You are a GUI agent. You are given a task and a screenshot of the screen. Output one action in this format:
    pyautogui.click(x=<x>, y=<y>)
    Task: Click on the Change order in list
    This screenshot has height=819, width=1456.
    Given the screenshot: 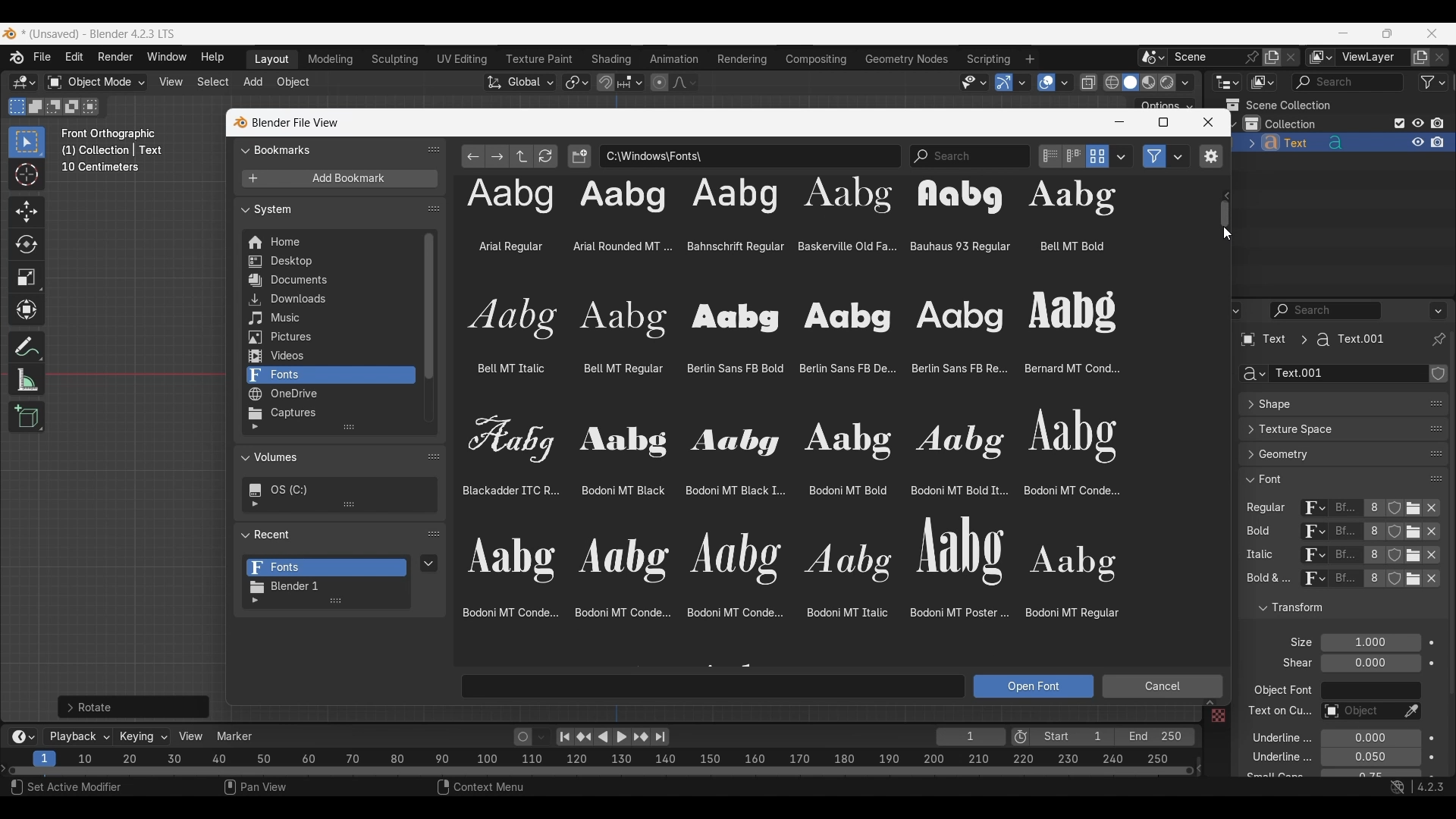 What is the action you would take?
    pyautogui.click(x=434, y=149)
    